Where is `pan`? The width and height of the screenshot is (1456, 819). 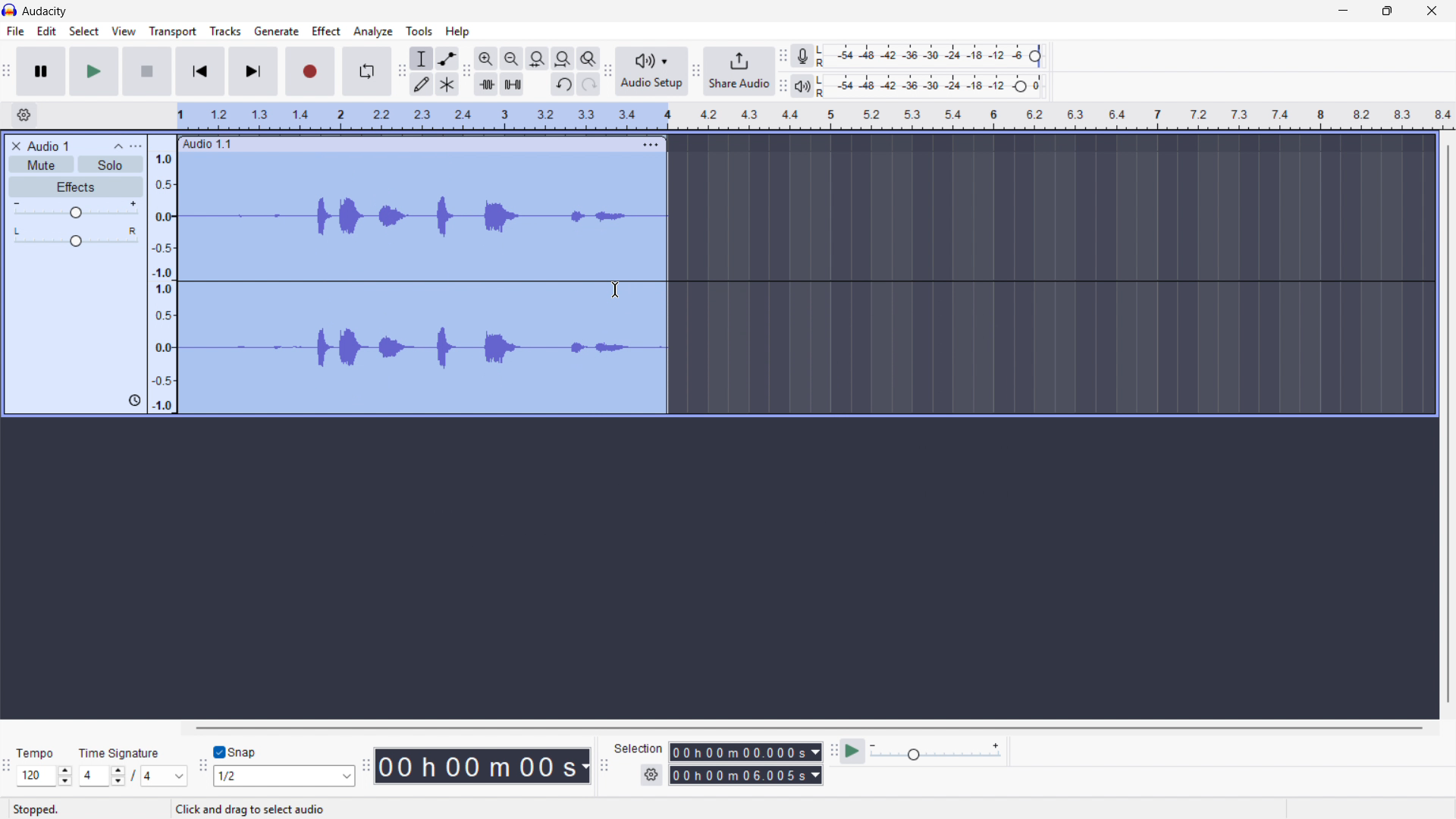 pan is located at coordinates (75, 237).